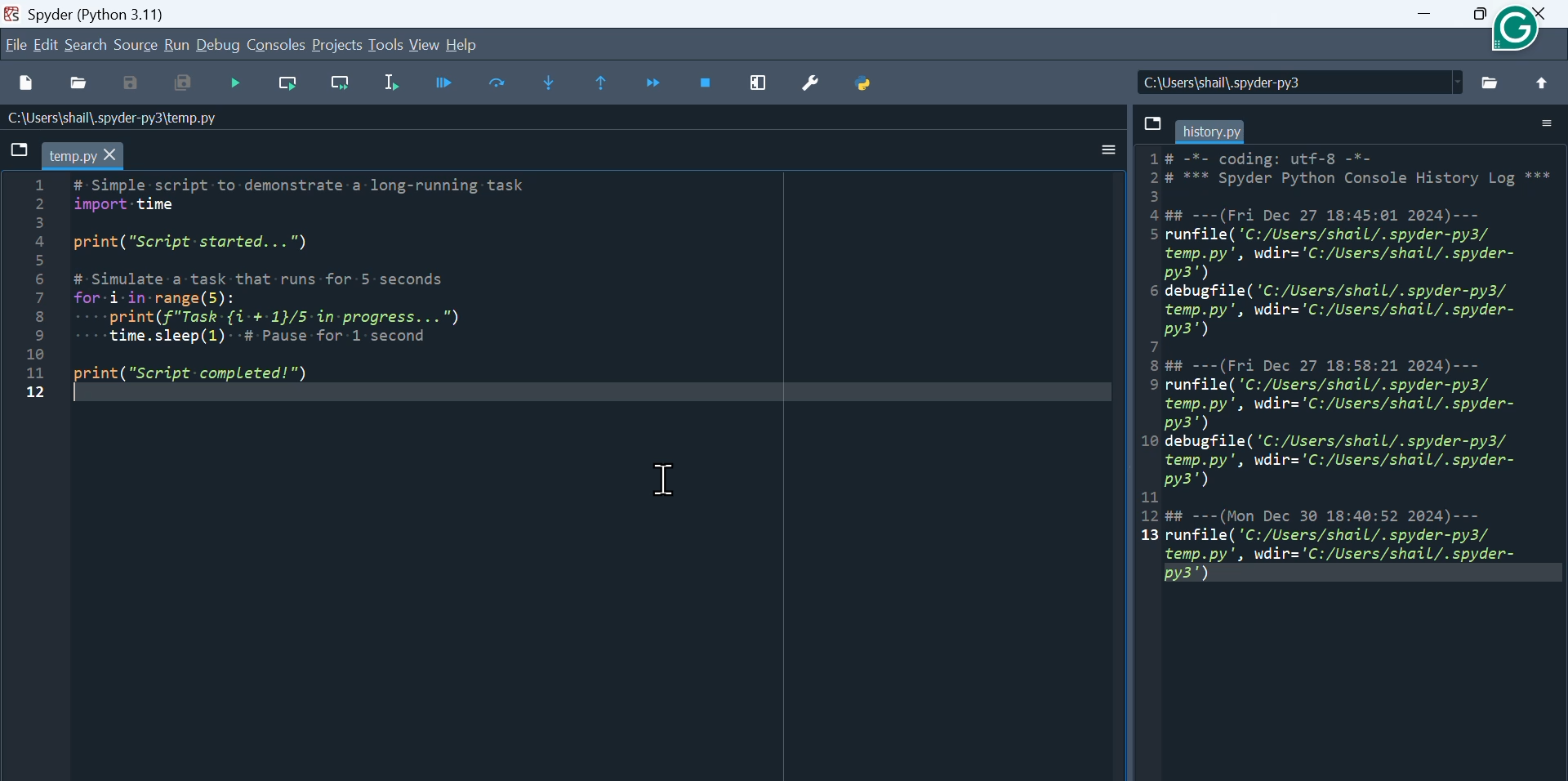 The height and width of the screenshot is (781, 1568). I want to click on 1# -*- coding: utf-8 -*-

2 # *** Spyder Python Console History Log **

El

4 ## ---(Fri Dec 27 18:45:01 2024)---

5 runfile('C:/Users/shail/.spyder-py3/
temp.py', wdir='C:/Users/shail/.spyder-
py3')

6 debugfile( 'C:/Users/shail/.spyder-py3/
temp.py', wdir='C:/Users/shail/.spyder-
py3')

7

8 ## ---(Fri Dec 27 18:58:21 2024)---

9 runfile('C:/Users/shail/.spyder-py3/
temp.py', wdir='C:/Users/shail/.spyder-
py3')

10 debugfile( 'C:/Users/shail/.spyder-py3/
temp.py', wdir='C:/Users/shail/.spyder-
py3')

11

12 ## ---(Mon Dec 30 18:40:52 2024)---

13 runfile('C:/Users/shail/.spyder-py3/
temp.py', wdir='C:/Users/shail/.spyder-
py3'), so click(1343, 368).